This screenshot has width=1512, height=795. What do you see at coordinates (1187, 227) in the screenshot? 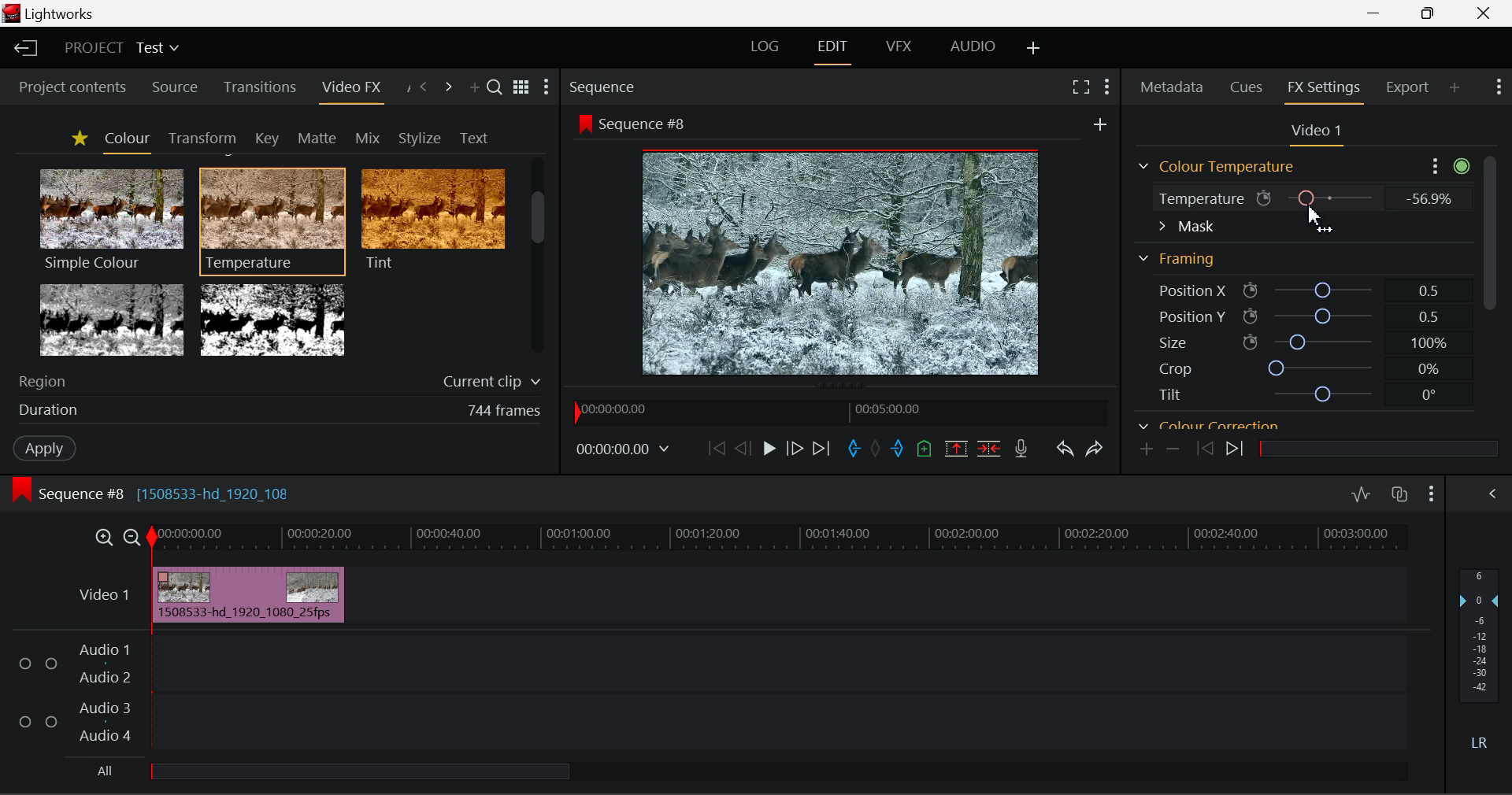
I see `Mask` at bounding box center [1187, 227].